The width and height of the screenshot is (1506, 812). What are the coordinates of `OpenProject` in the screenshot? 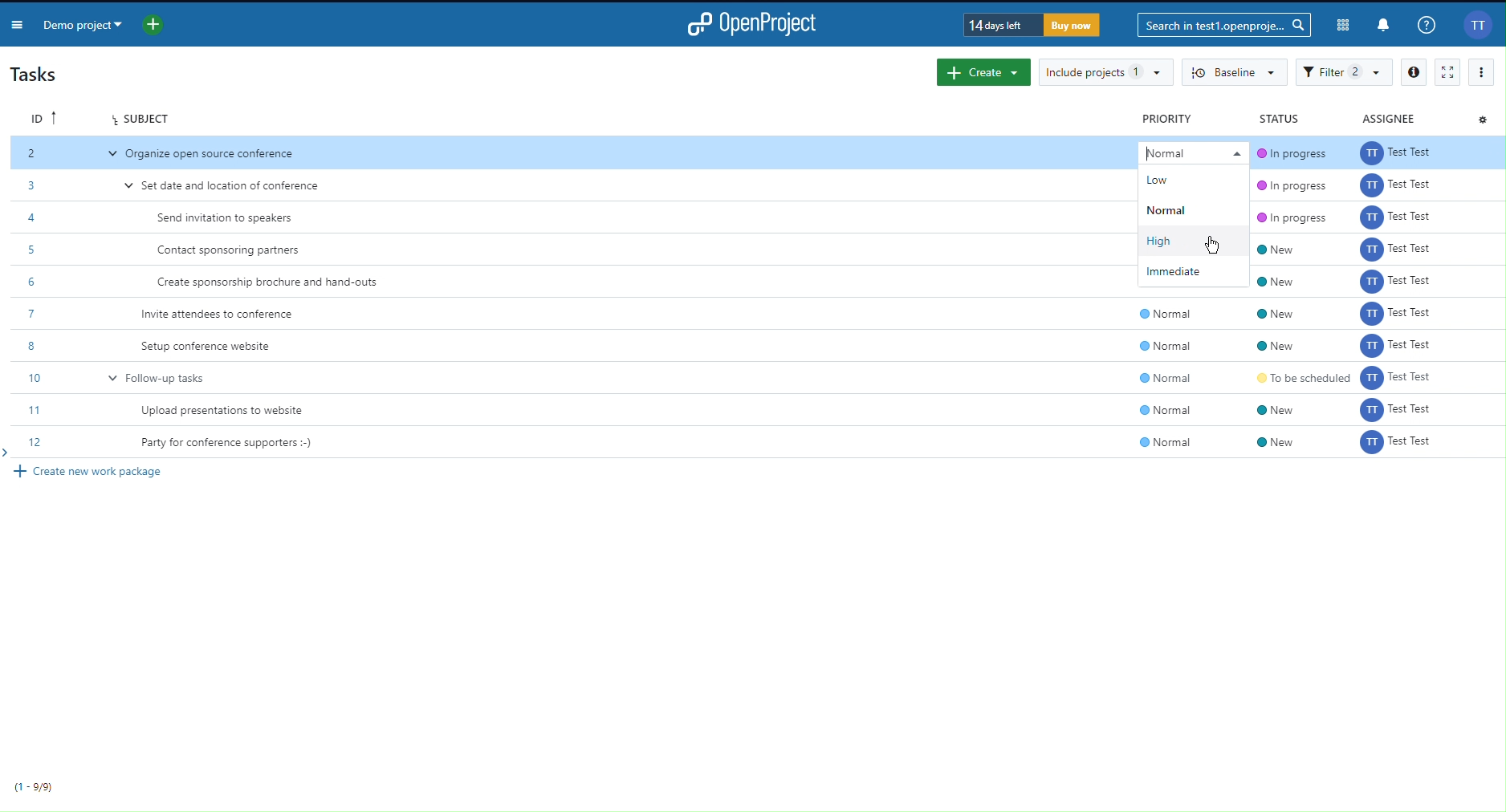 It's located at (754, 22).